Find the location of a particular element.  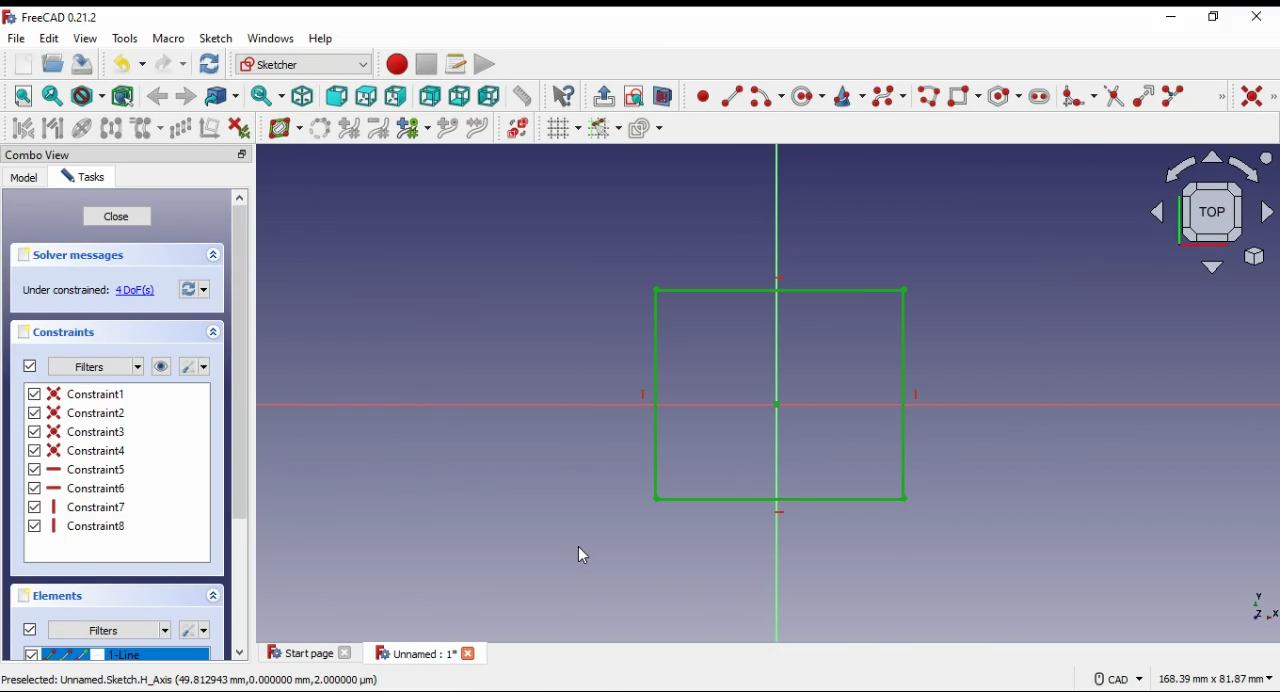

settings is located at coordinates (194, 628).